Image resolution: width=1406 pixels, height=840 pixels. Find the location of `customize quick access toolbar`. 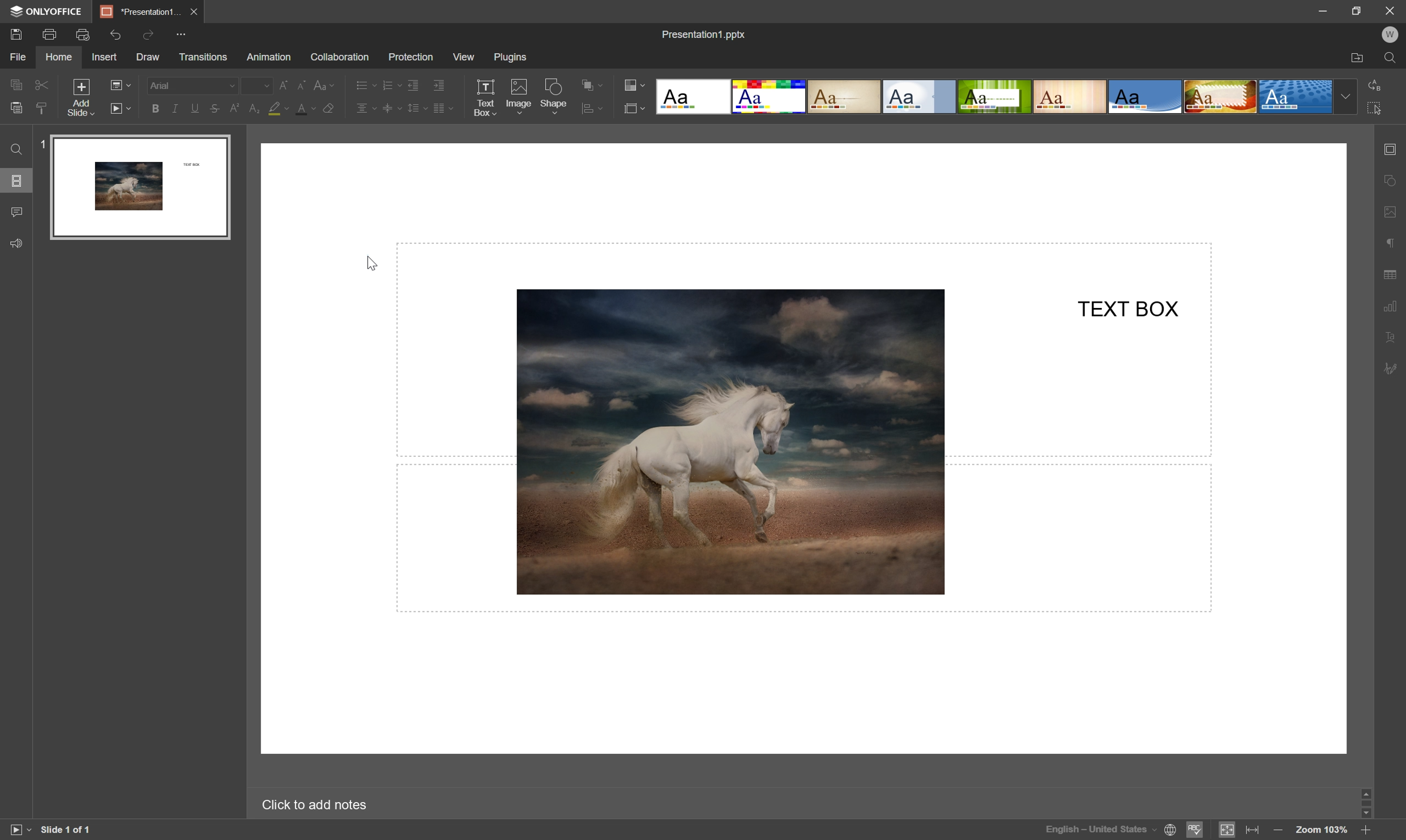

customize quick access toolbar is located at coordinates (188, 33).